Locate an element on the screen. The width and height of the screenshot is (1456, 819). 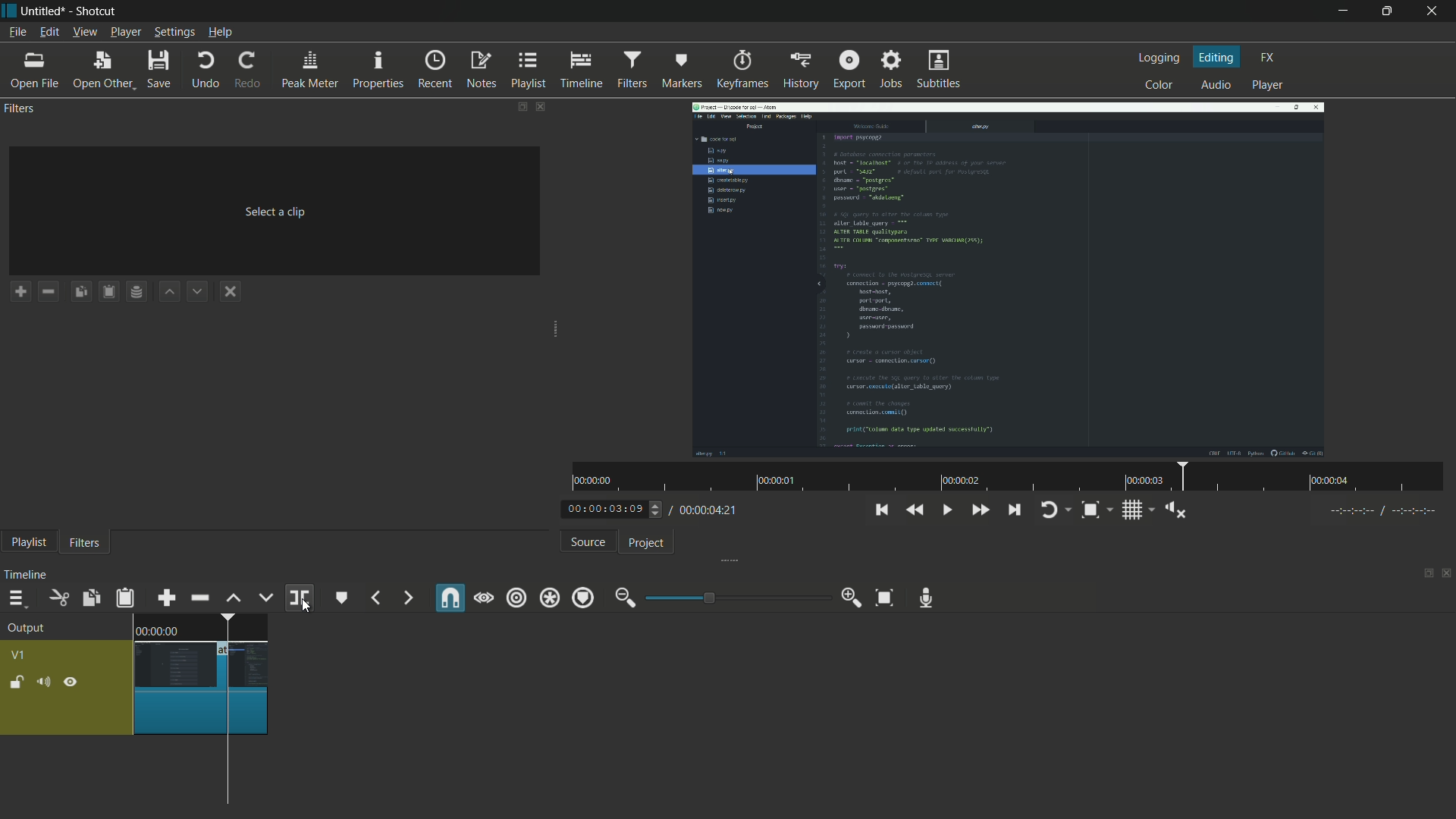
close app is located at coordinates (1435, 10).